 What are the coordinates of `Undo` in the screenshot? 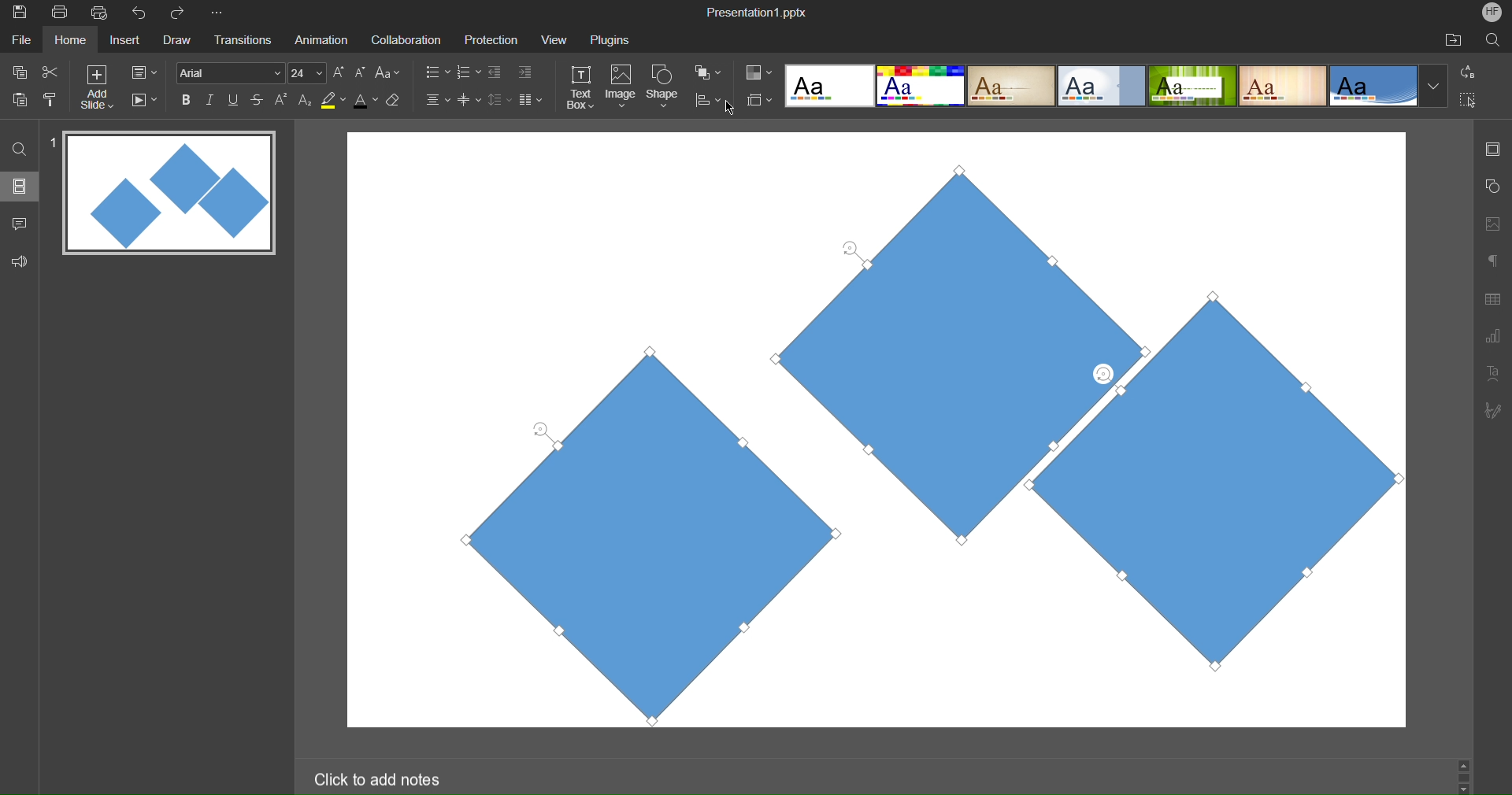 It's located at (143, 13).